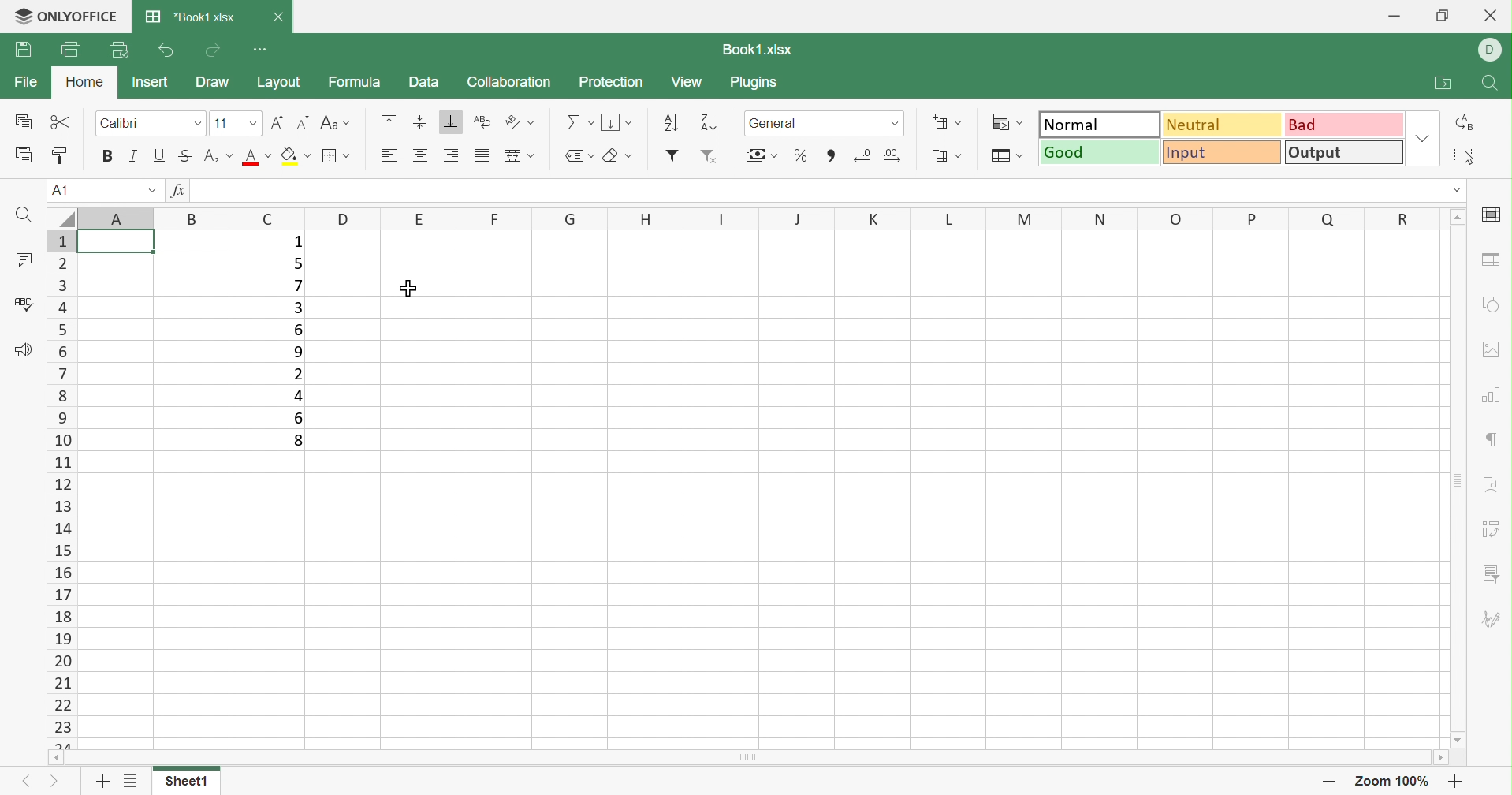 Image resolution: width=1512 pixels, height=795 pixels. I want to click on Pivot Table settings, so click(1492, 528).